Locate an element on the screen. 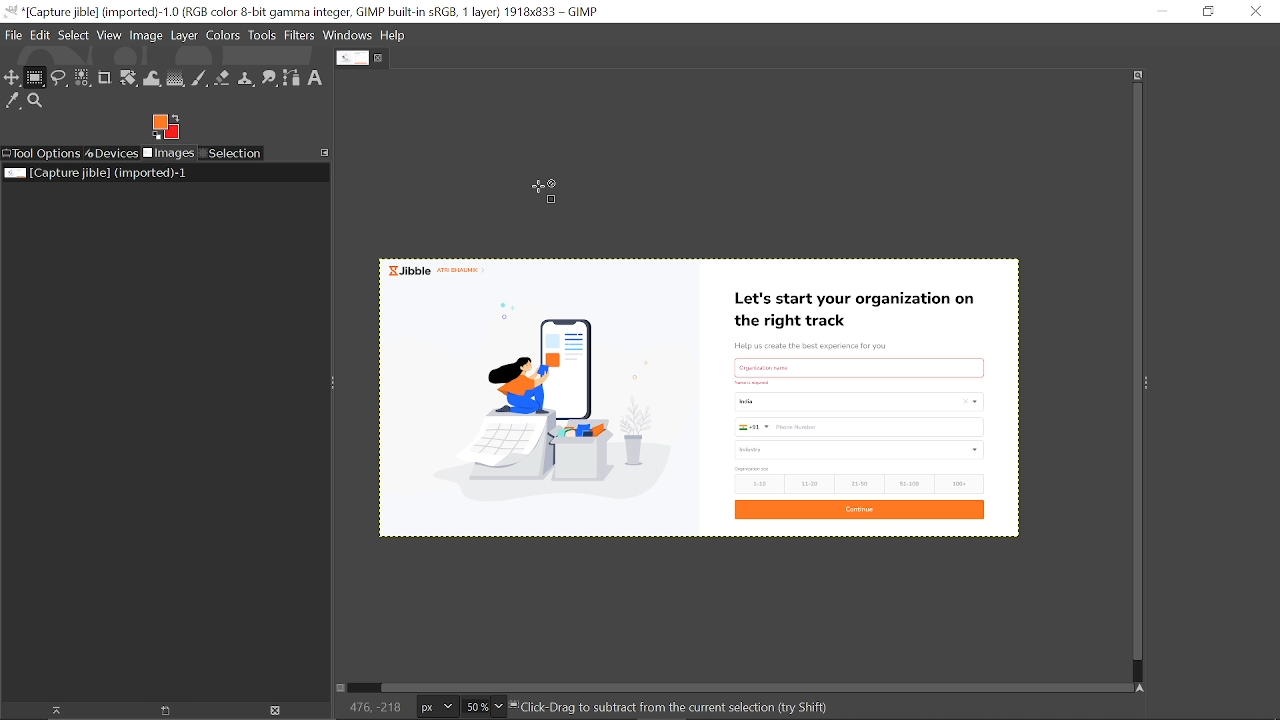 This screenshot has height=720, width=1280. Select is located at coordinates (74, 35).